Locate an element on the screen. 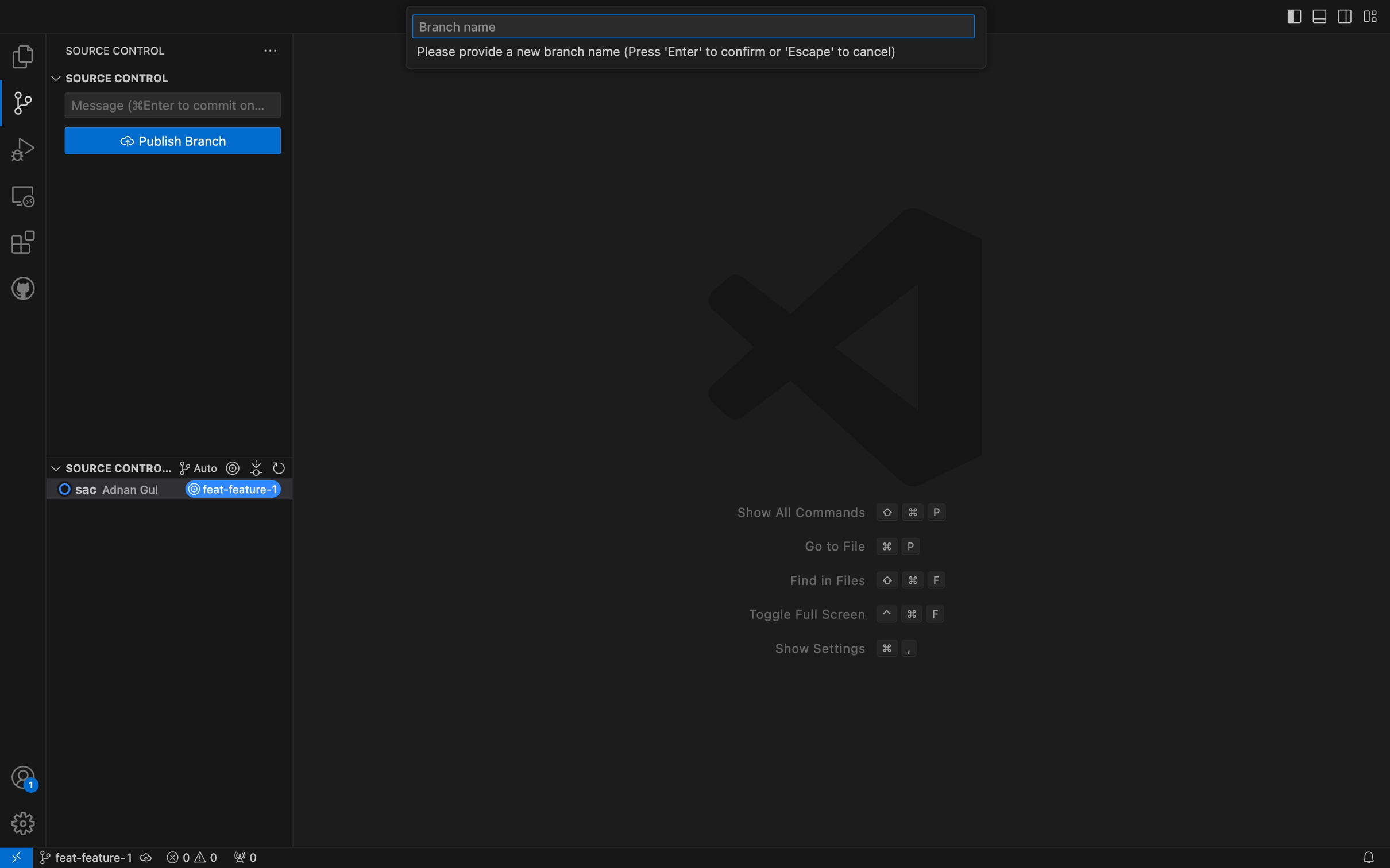 This screenshot has width=1390, height=868. VScode logo is located at coordinates (841, 343).